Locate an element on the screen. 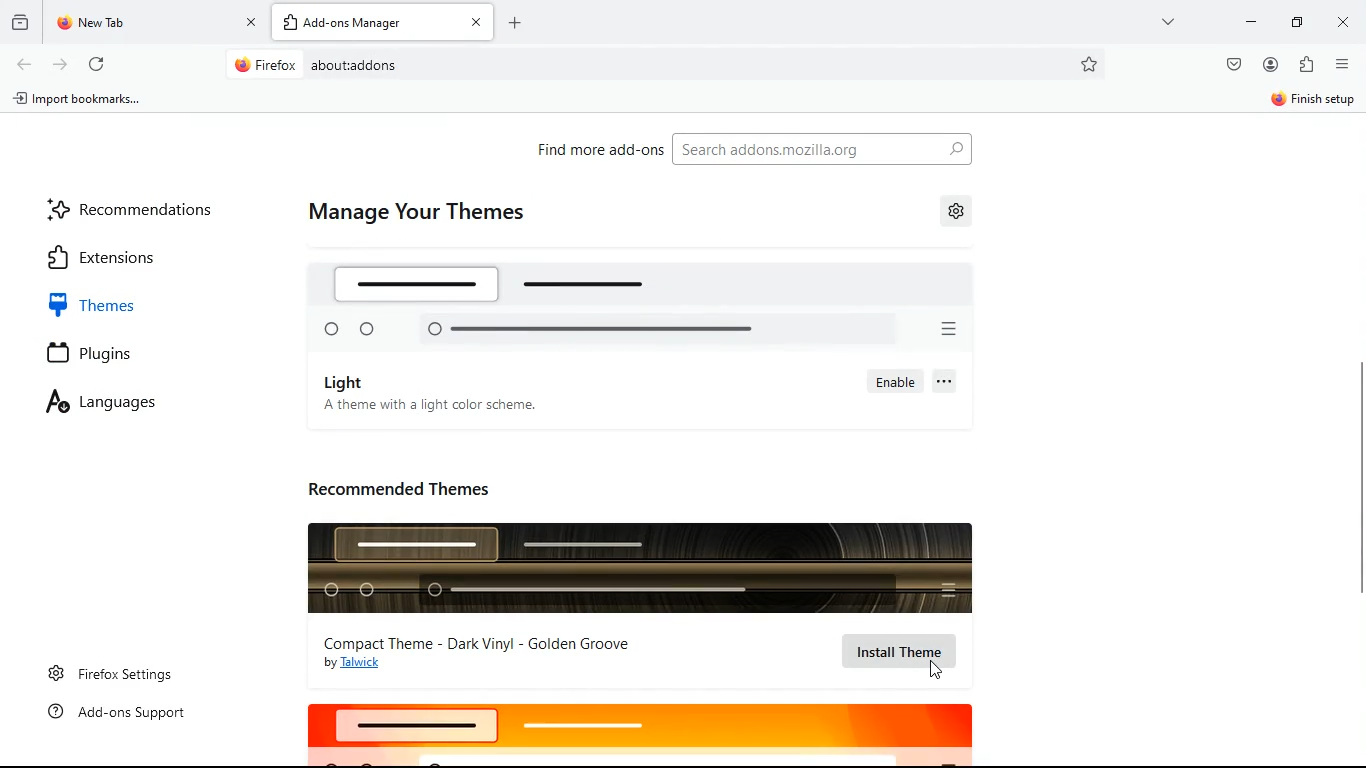 This screenshot has width=1366, height=768. logo is located at coordinates (637, 732).